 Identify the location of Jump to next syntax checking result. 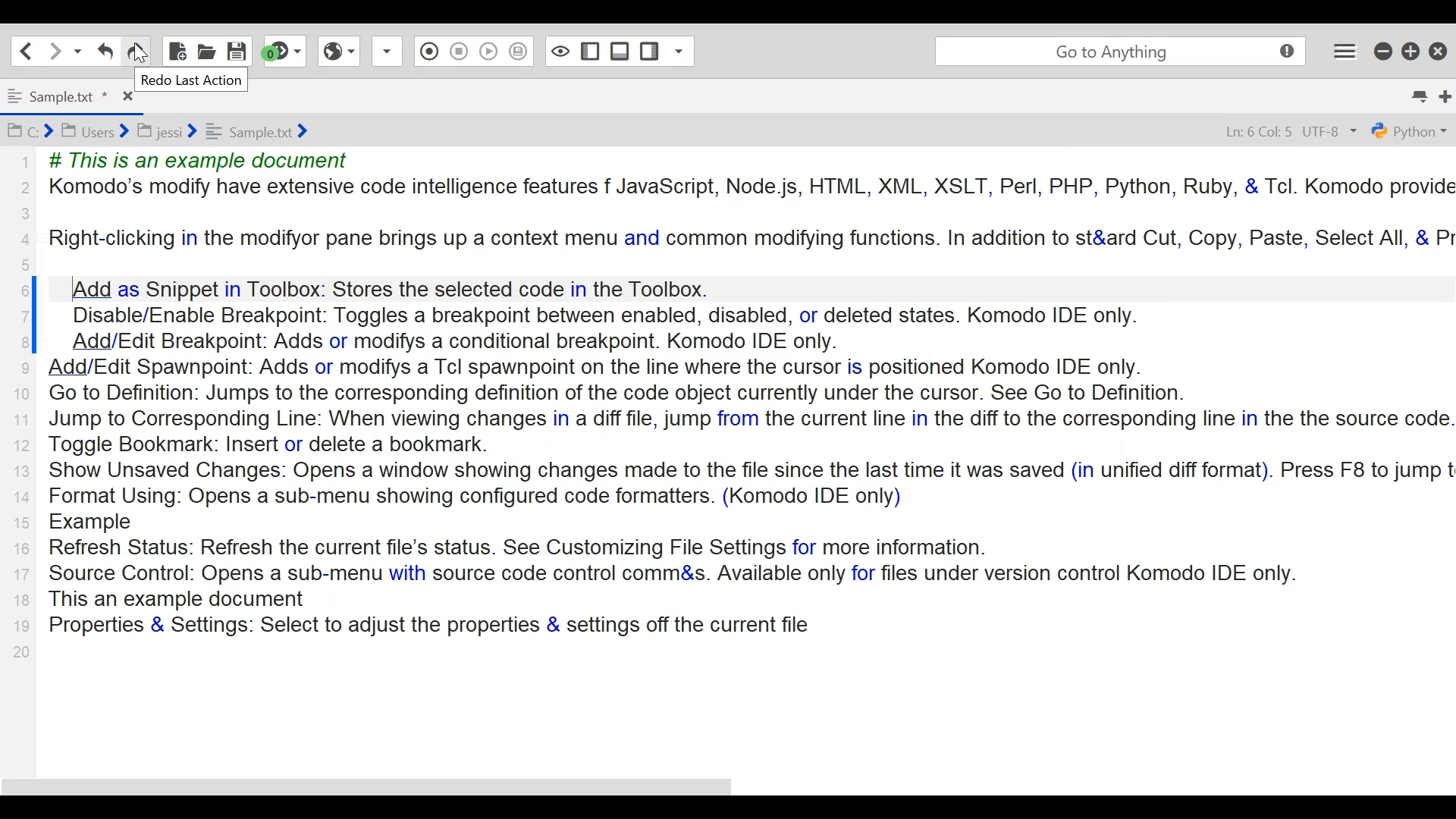
(284, 51).